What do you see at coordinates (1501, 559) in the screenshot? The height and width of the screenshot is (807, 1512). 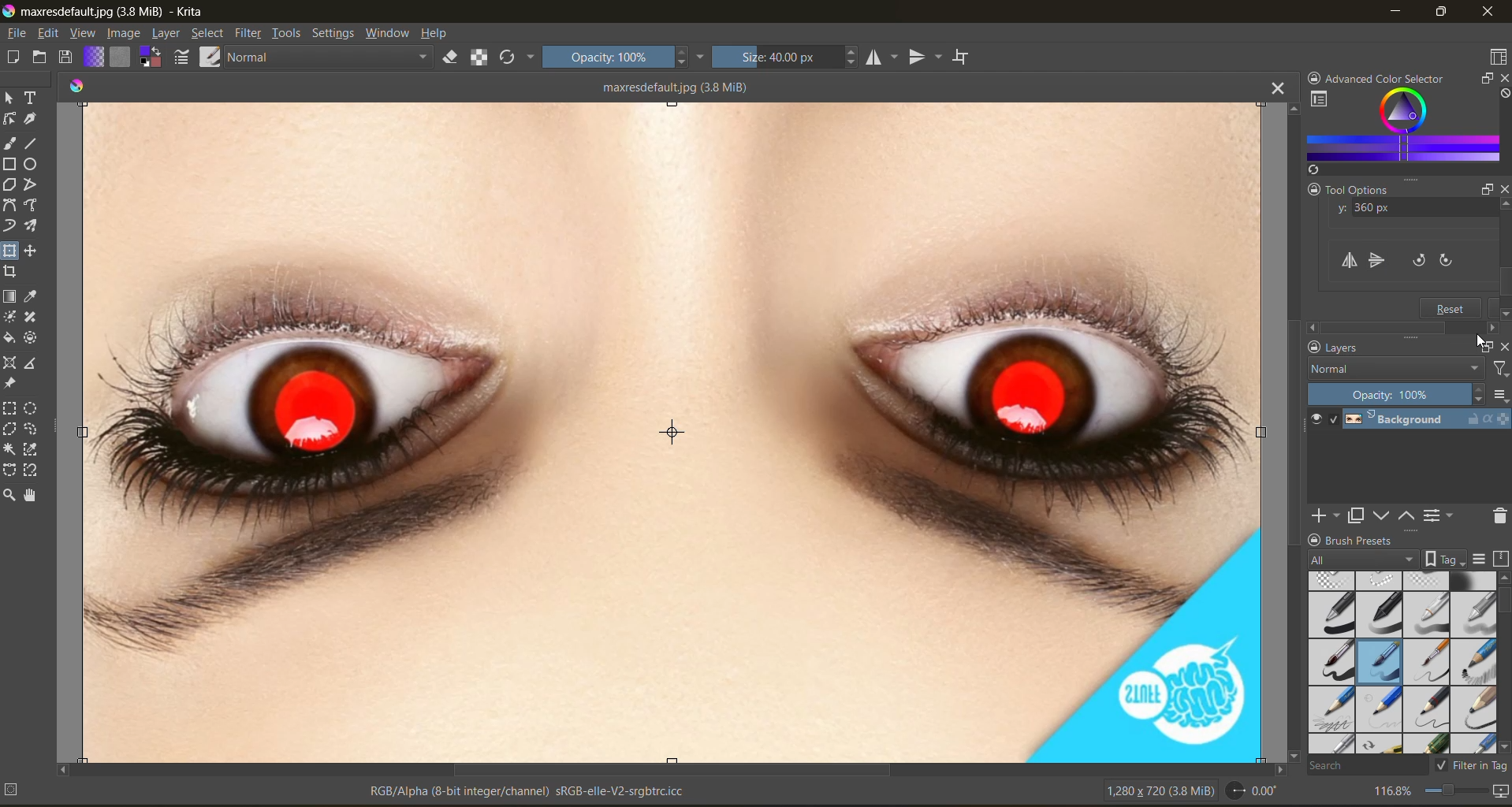 I see `storage resources` at bounding box center [1501, 559].